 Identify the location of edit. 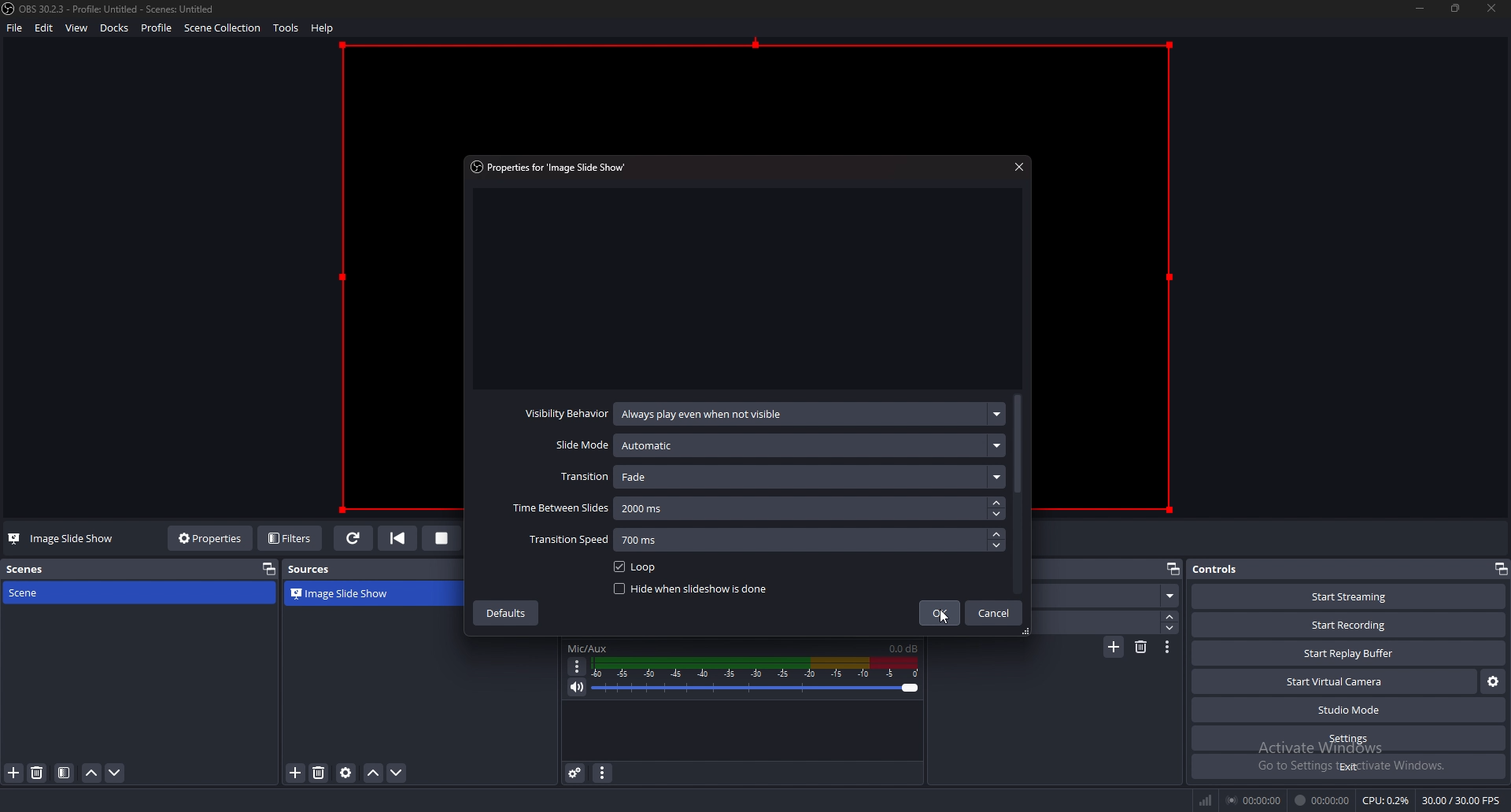
(46, 28).